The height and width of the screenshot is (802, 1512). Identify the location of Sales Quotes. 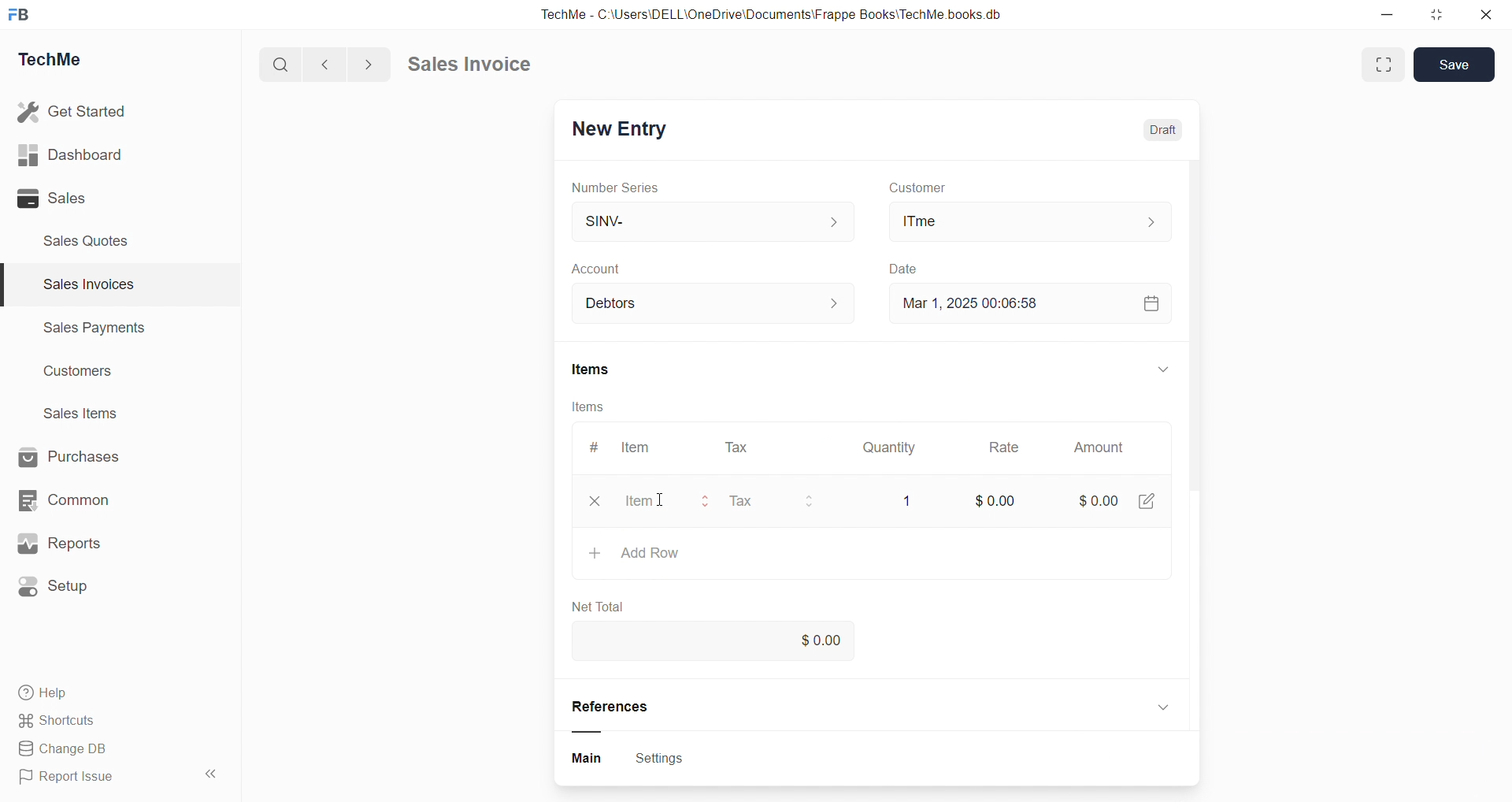
(92, 240).